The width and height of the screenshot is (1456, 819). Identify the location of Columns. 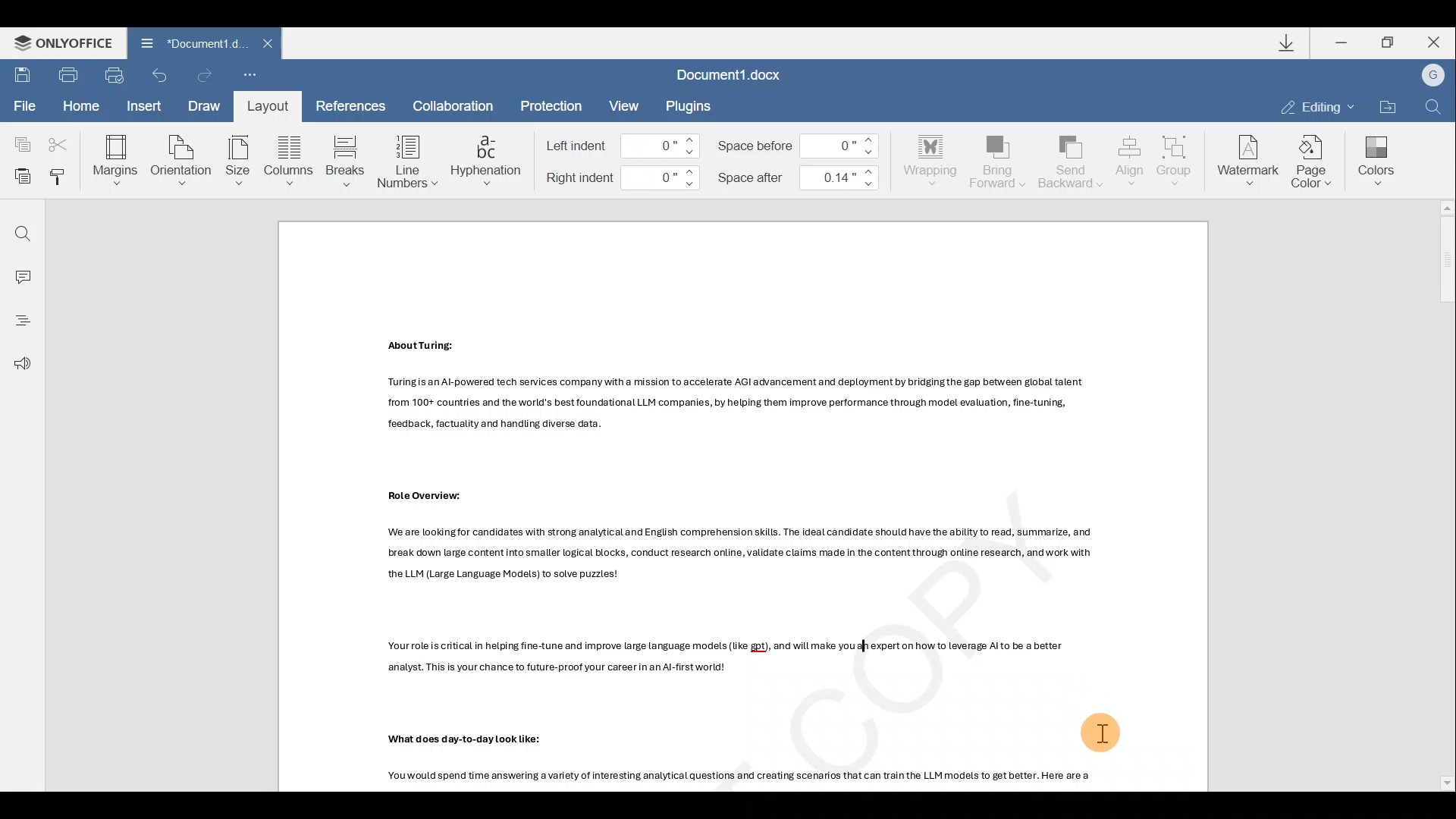
(290, 158).